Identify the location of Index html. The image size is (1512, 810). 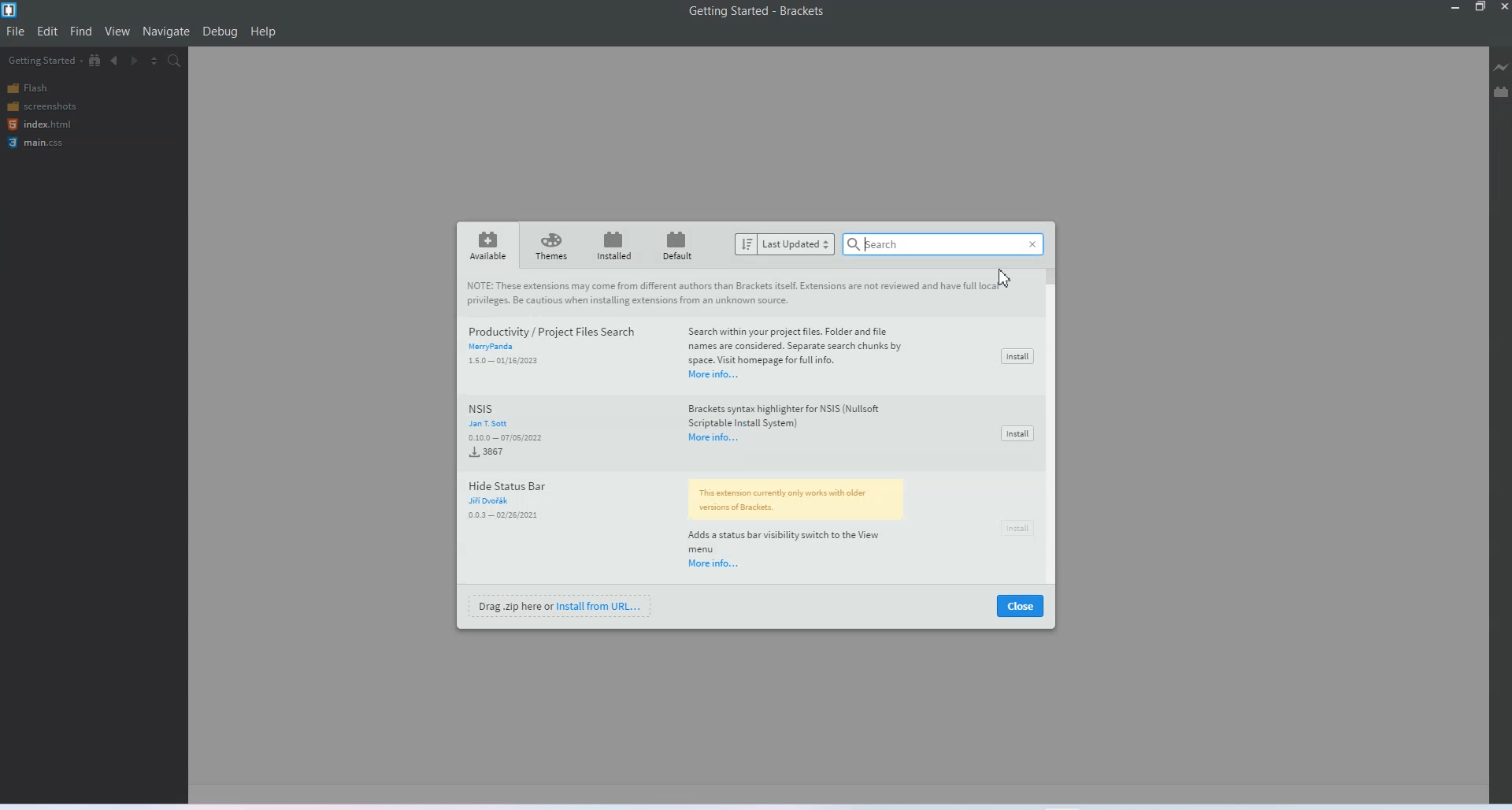
(54, 125).